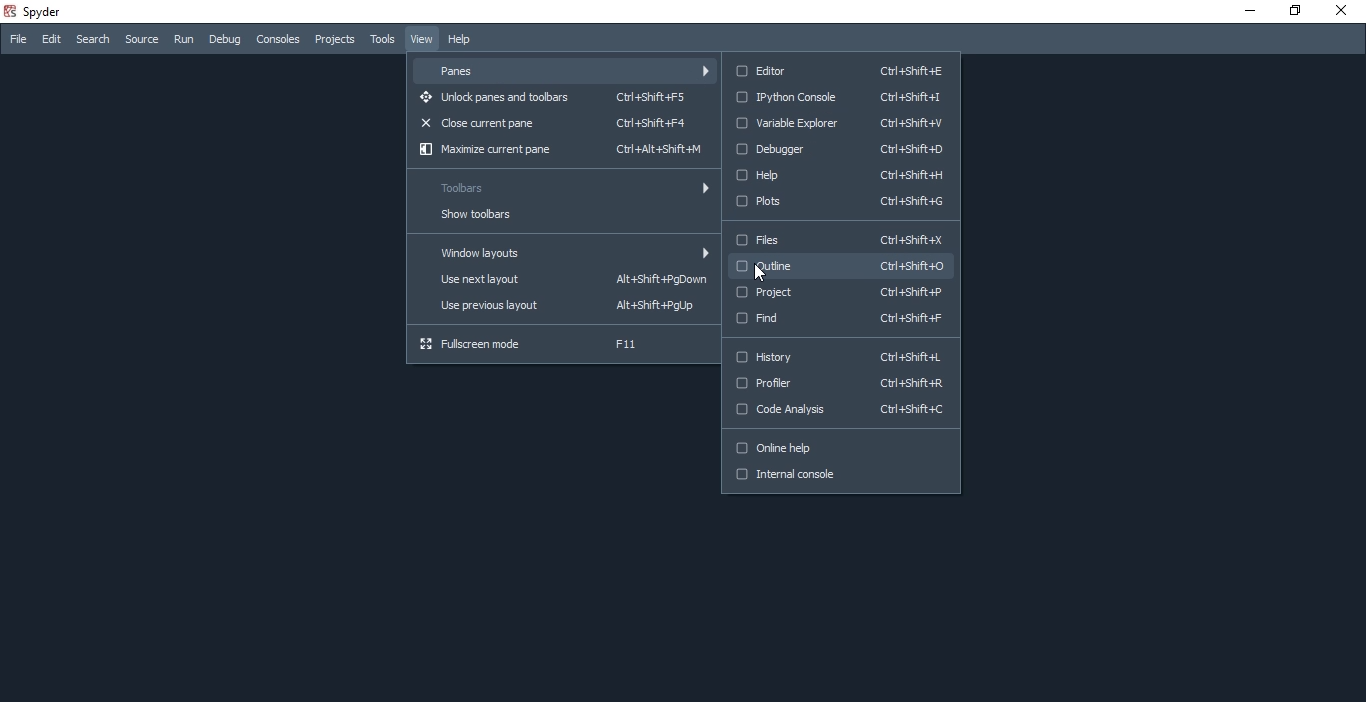  What do you see at coordinates (560, 251) in the screenshot?
I see `Window layouts` at bounding box center [560, 251].